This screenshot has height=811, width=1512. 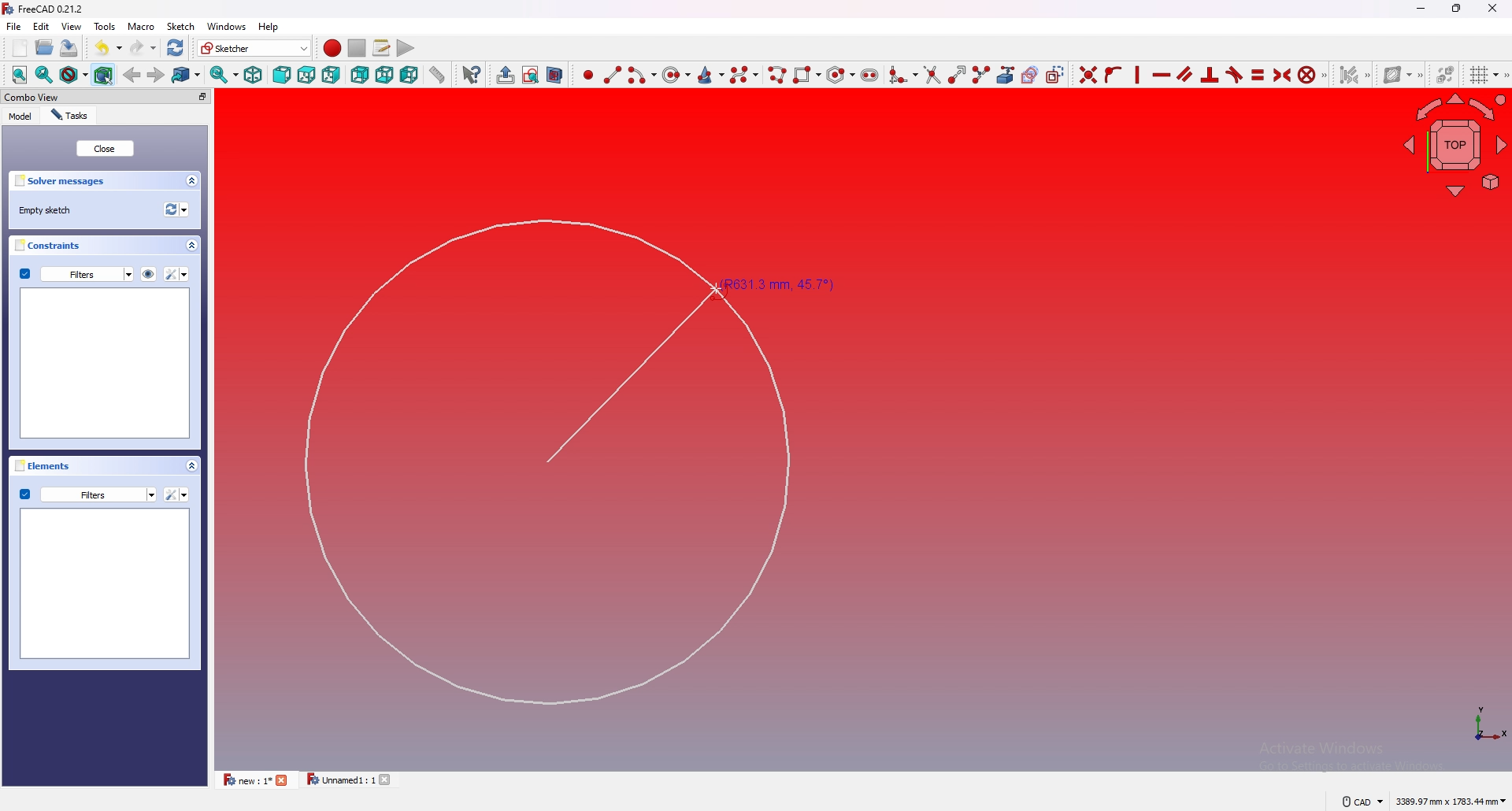 I want to click on fit all, so click(x=19, y=75).